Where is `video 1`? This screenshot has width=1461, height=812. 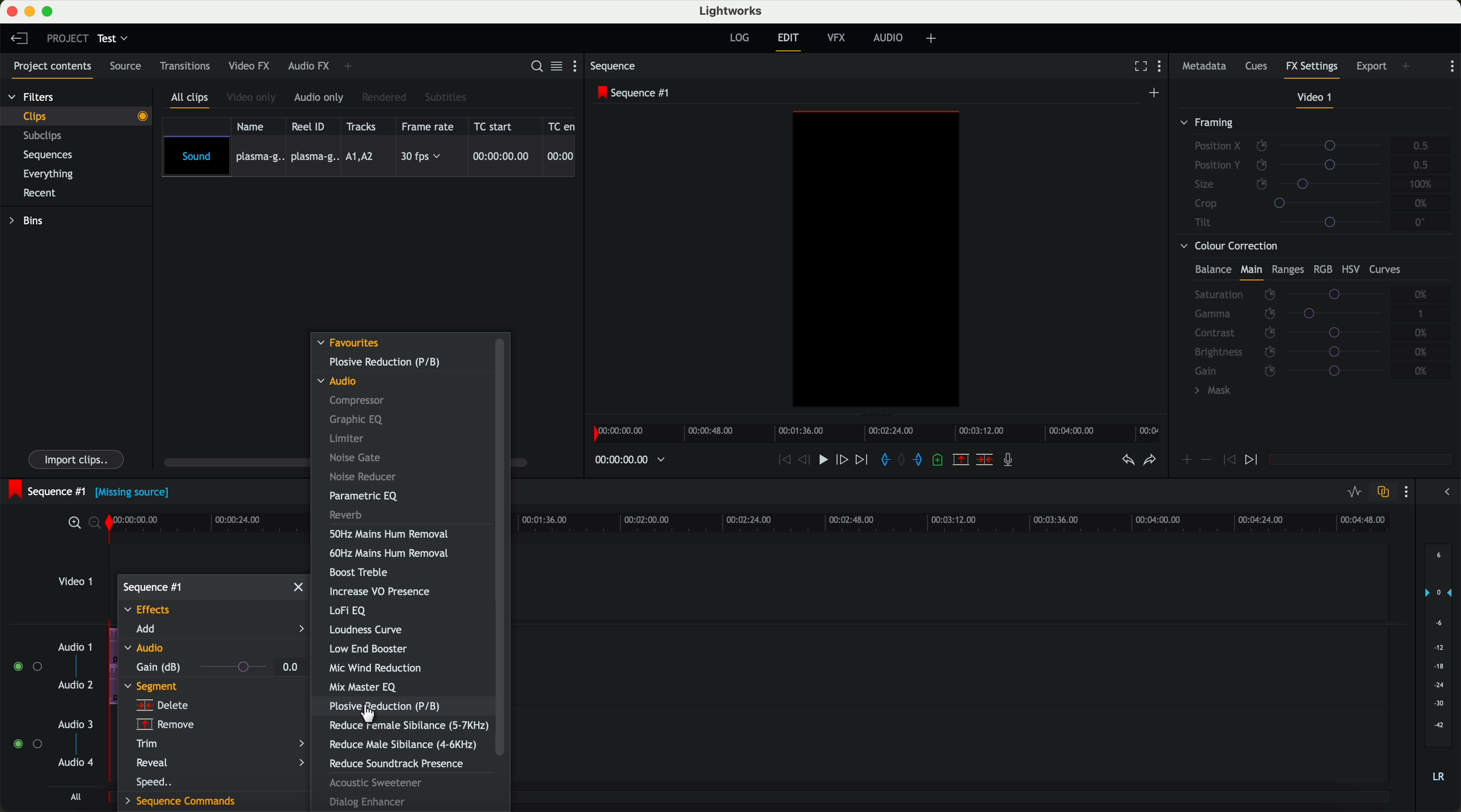 video 1 is located at coordinates (75, 585).